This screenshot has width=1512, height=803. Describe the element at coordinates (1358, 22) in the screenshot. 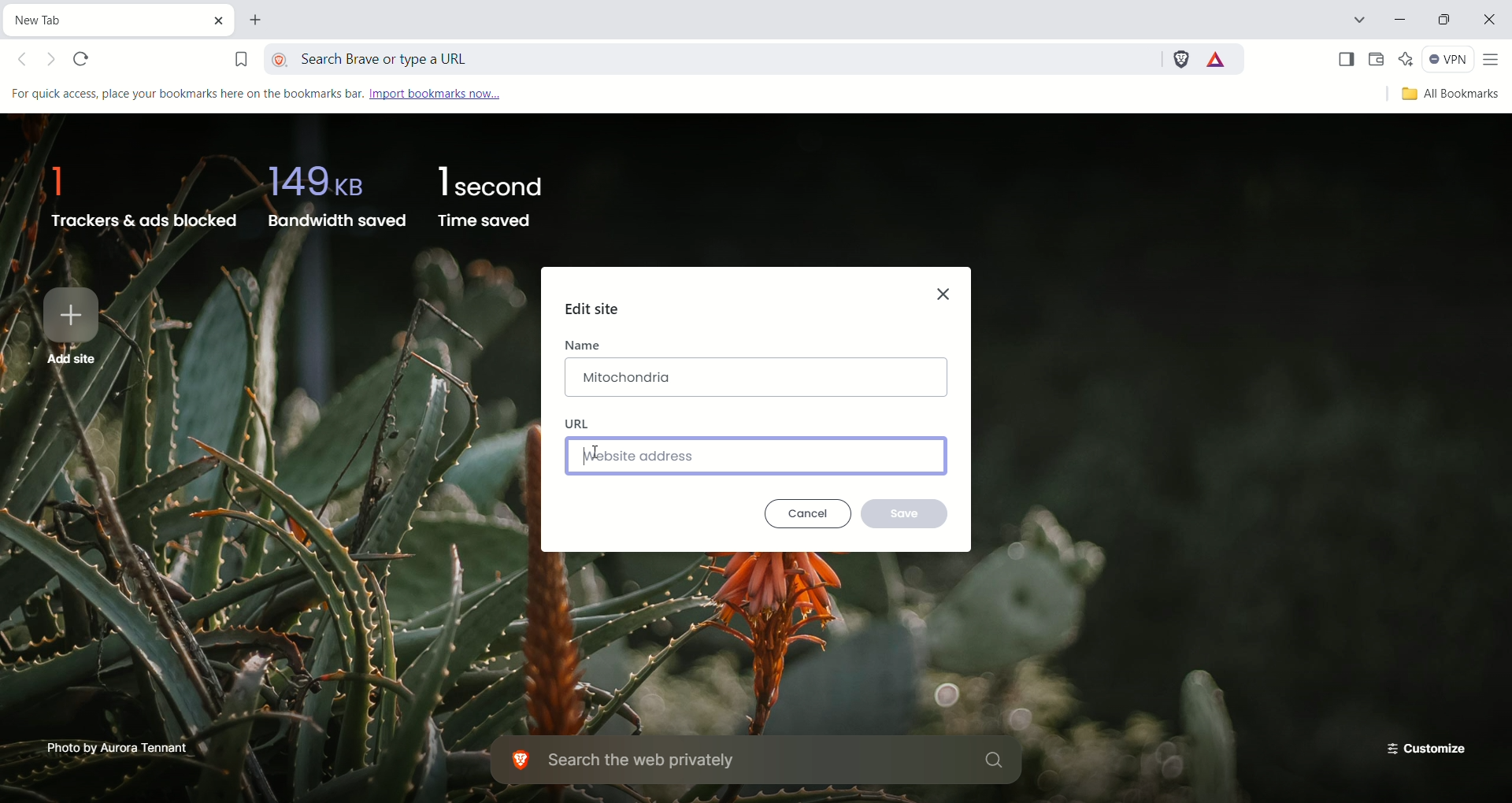

I see `search tabs` at that location.